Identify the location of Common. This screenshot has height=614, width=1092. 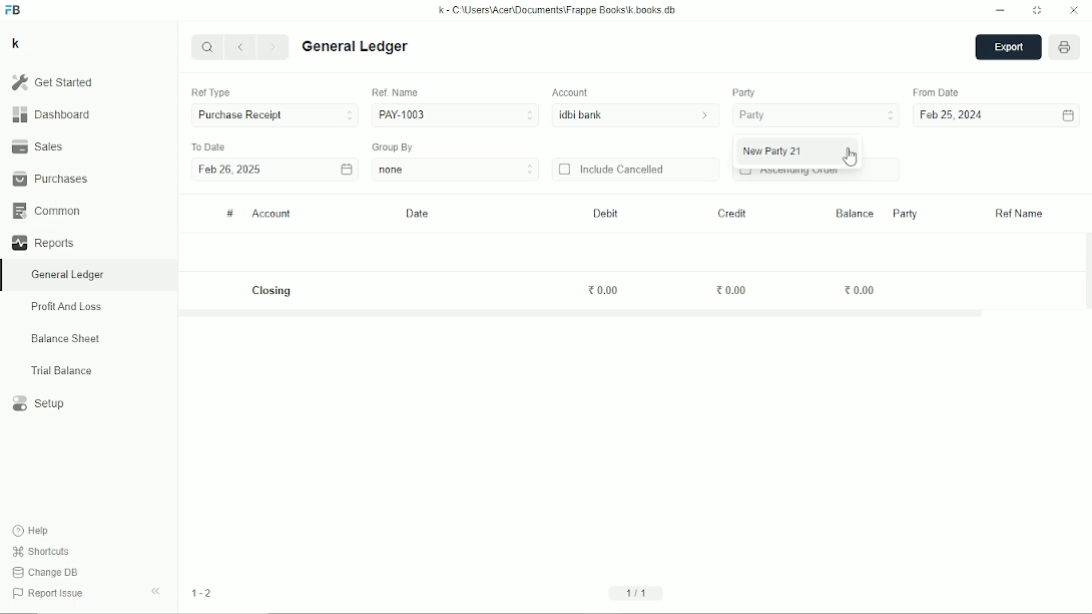
(46, 211).